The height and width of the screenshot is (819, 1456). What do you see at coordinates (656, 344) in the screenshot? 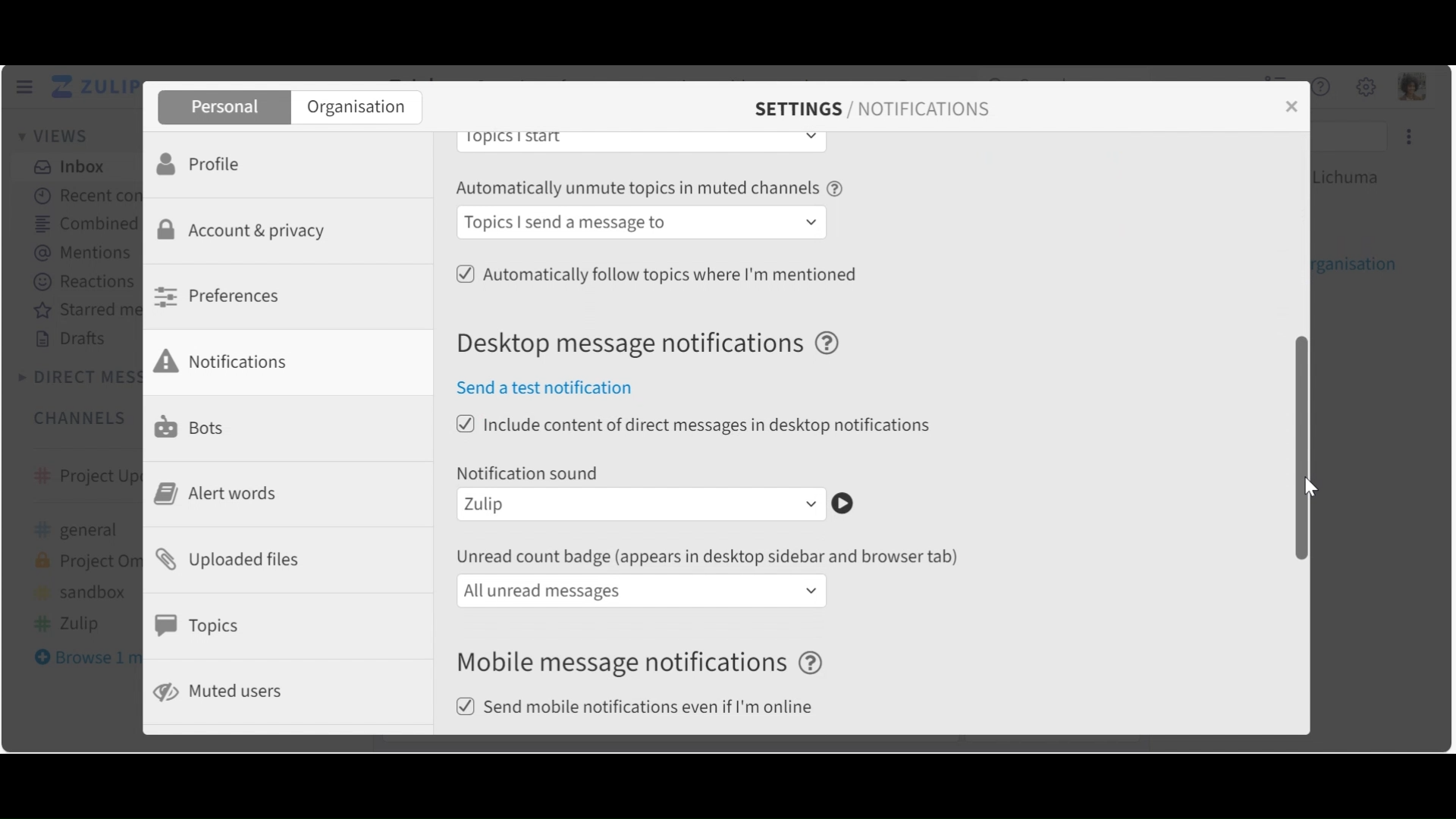
I see `Desktop message notifications` at bounding box center [656, 344].